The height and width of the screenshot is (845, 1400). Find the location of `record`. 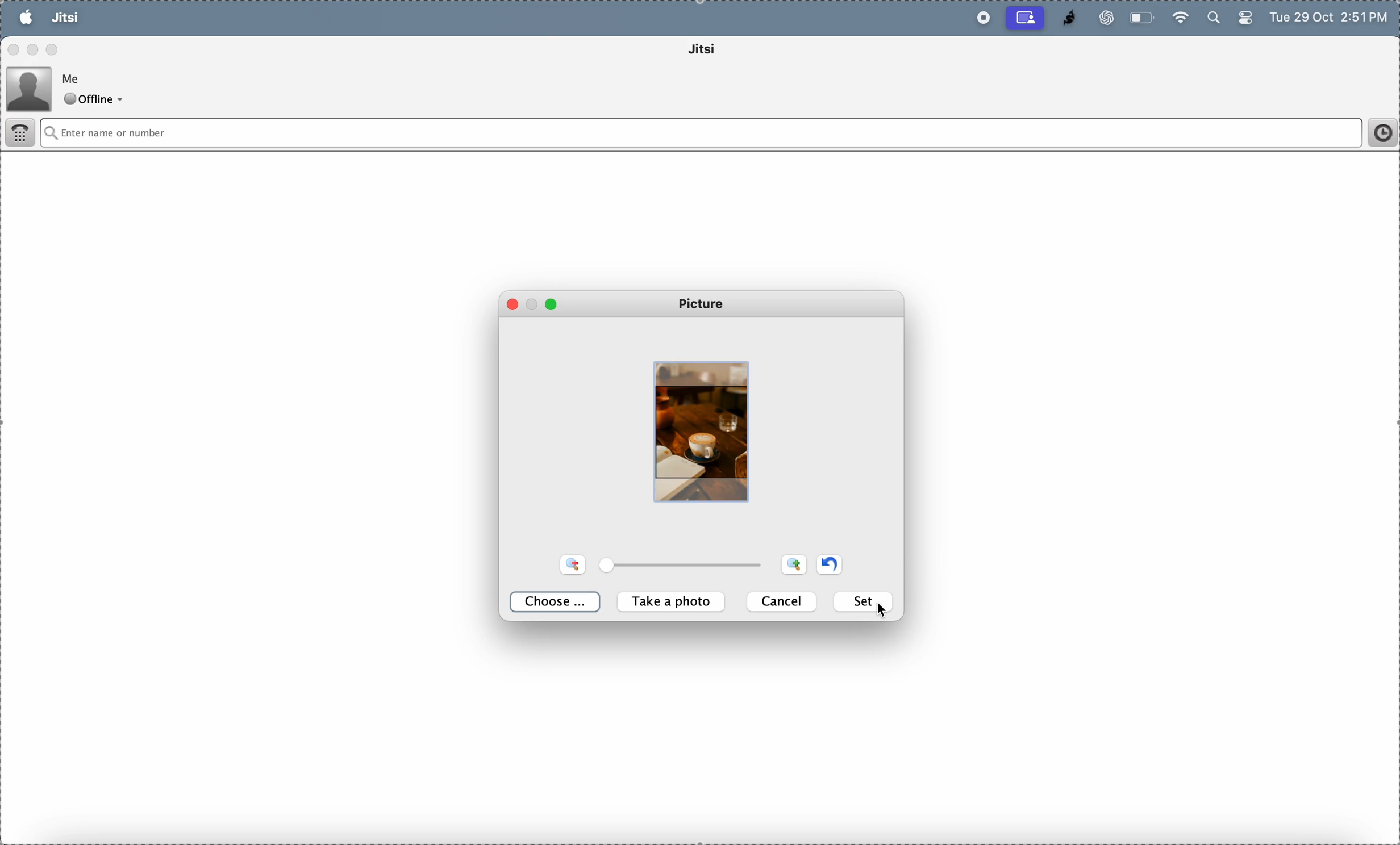

record is located at coordinates (980, 18).